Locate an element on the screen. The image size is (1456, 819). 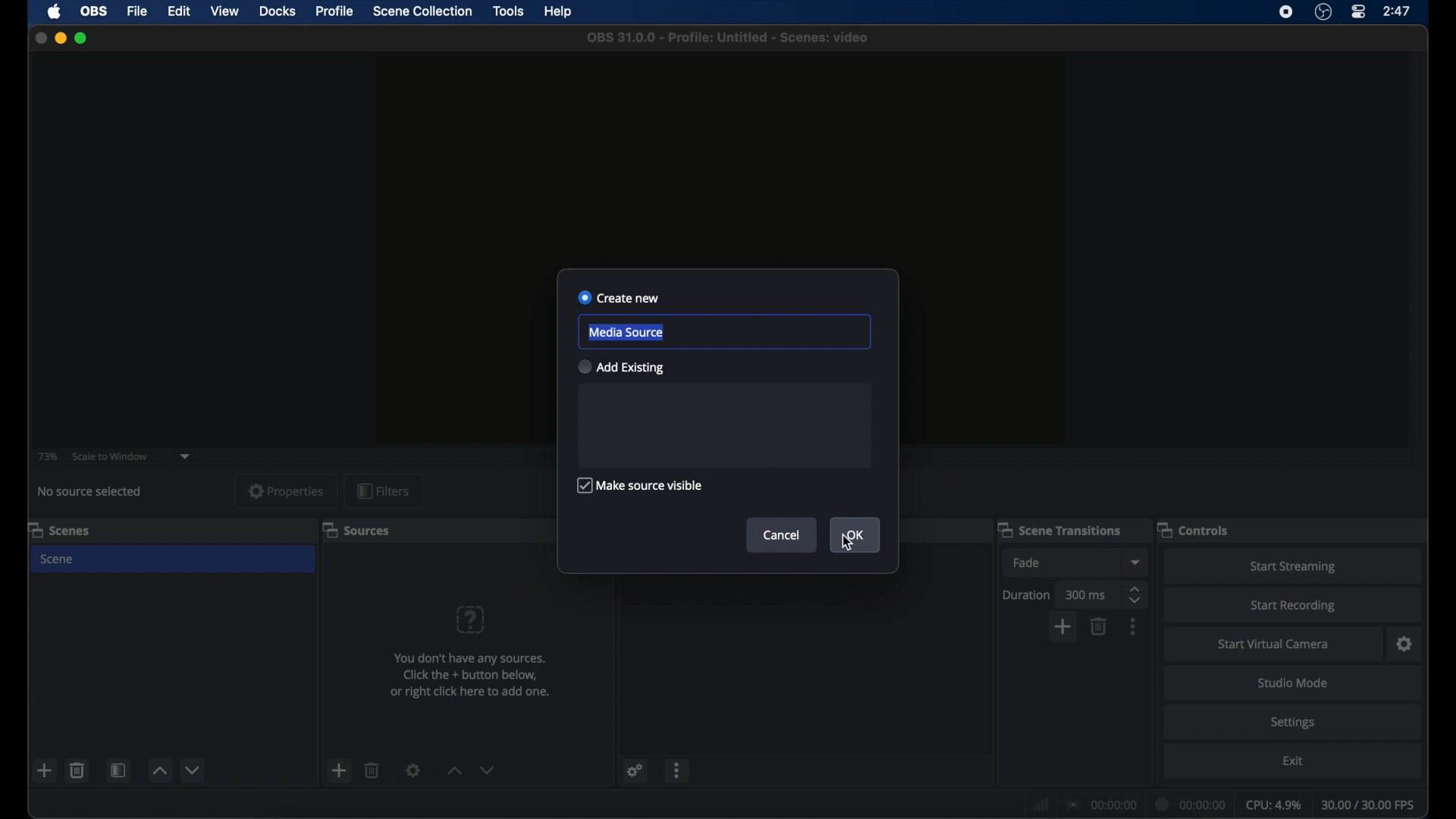
create new is located at coordinates (619, 297).